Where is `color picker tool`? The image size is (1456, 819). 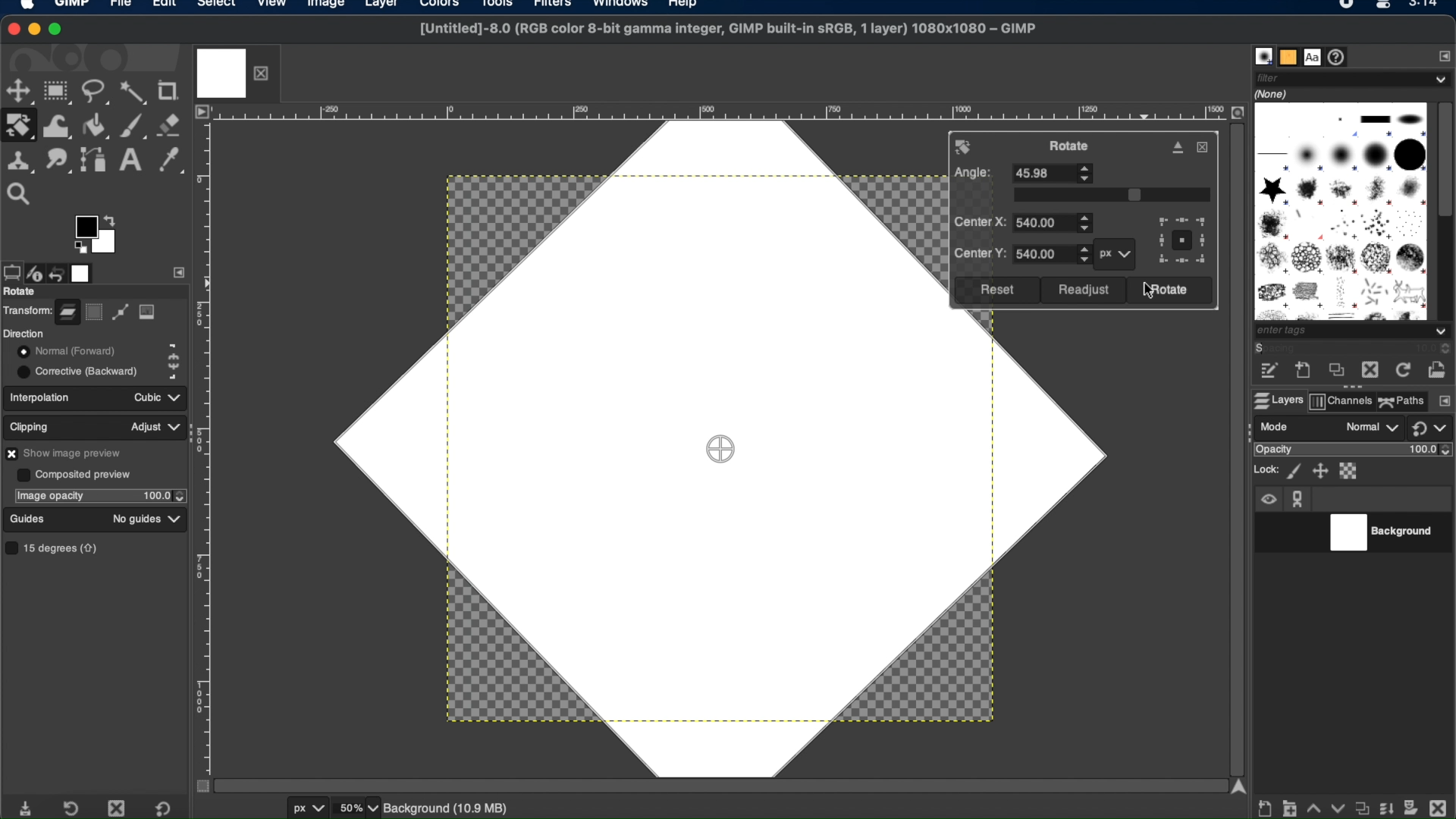
color picker tool is located at coordinates (171, 161).